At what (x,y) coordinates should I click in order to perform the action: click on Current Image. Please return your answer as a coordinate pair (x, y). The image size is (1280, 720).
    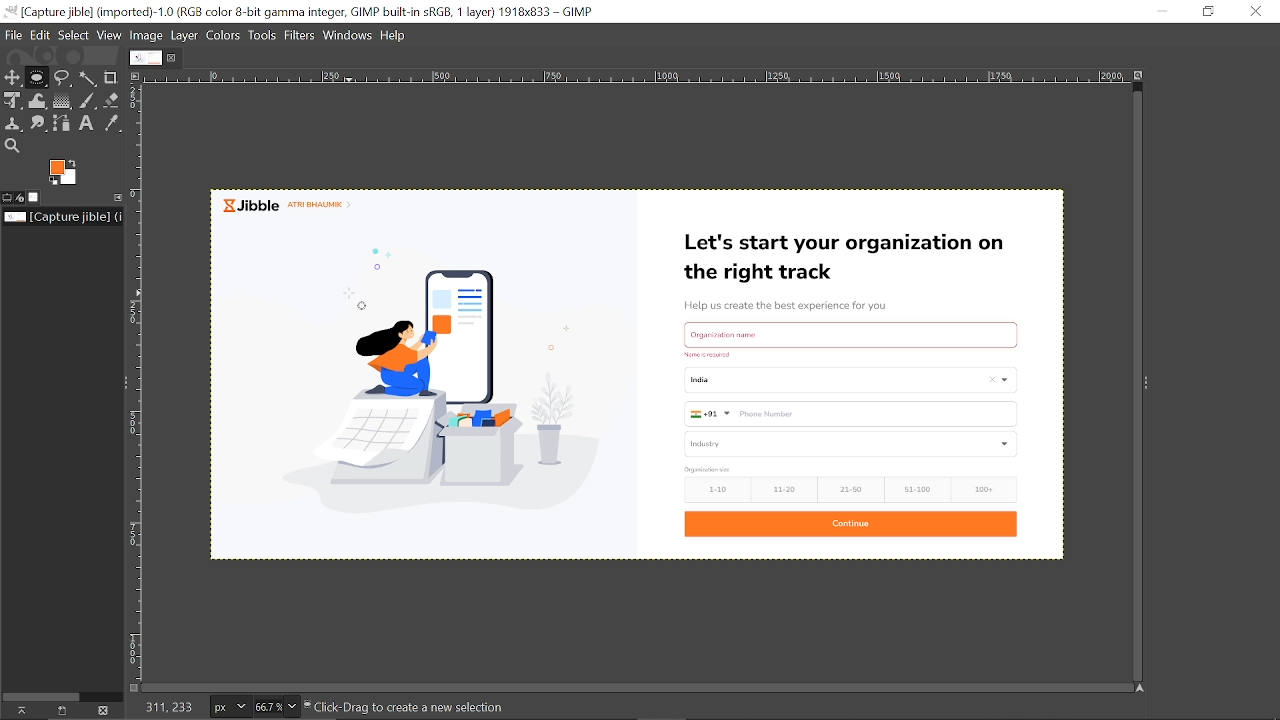
    Looking at the image, I should click on (144, 57).